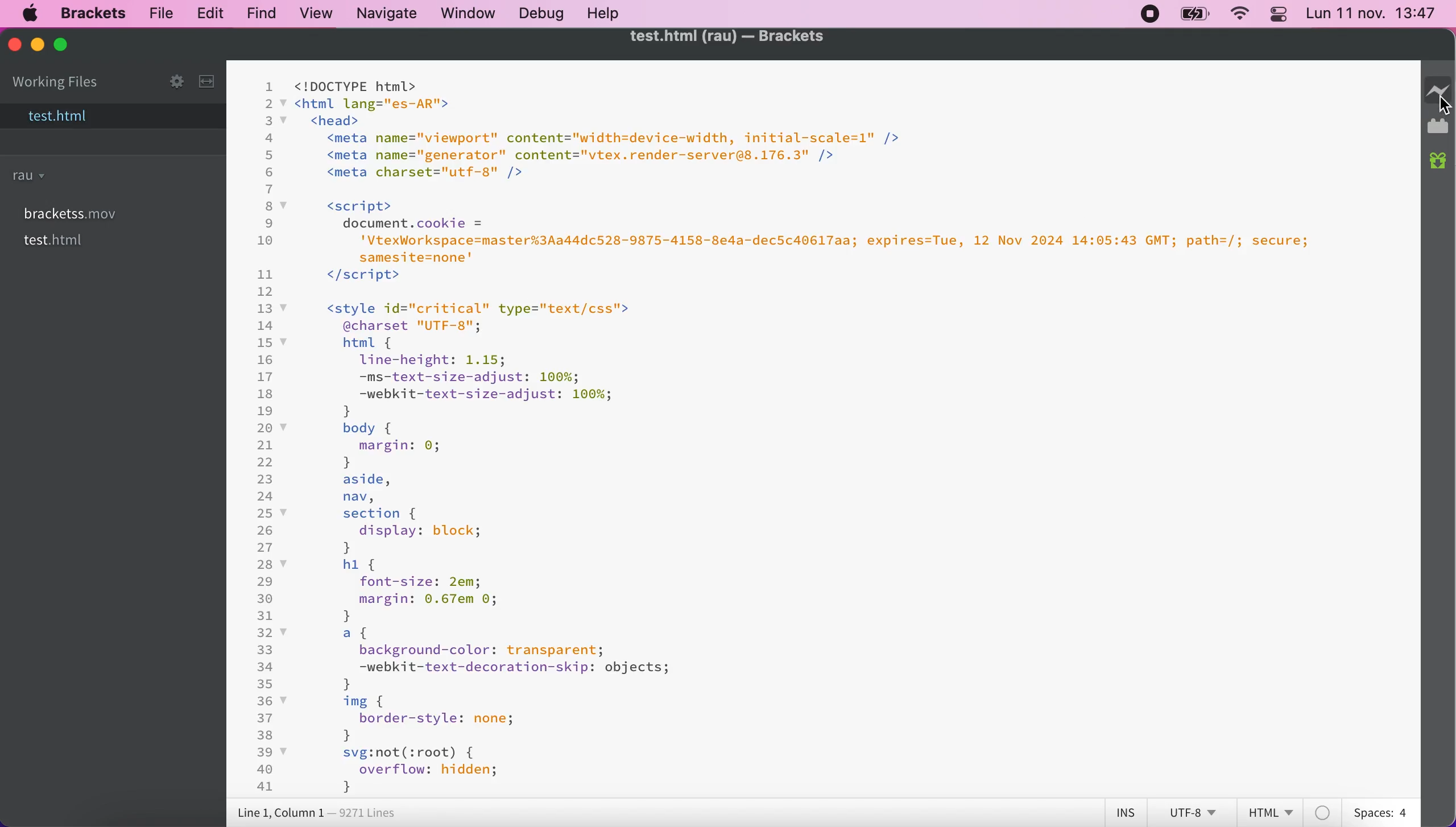 This screenshot has height=827, width=1456. I want to click on mazimize, so click(65, 47).